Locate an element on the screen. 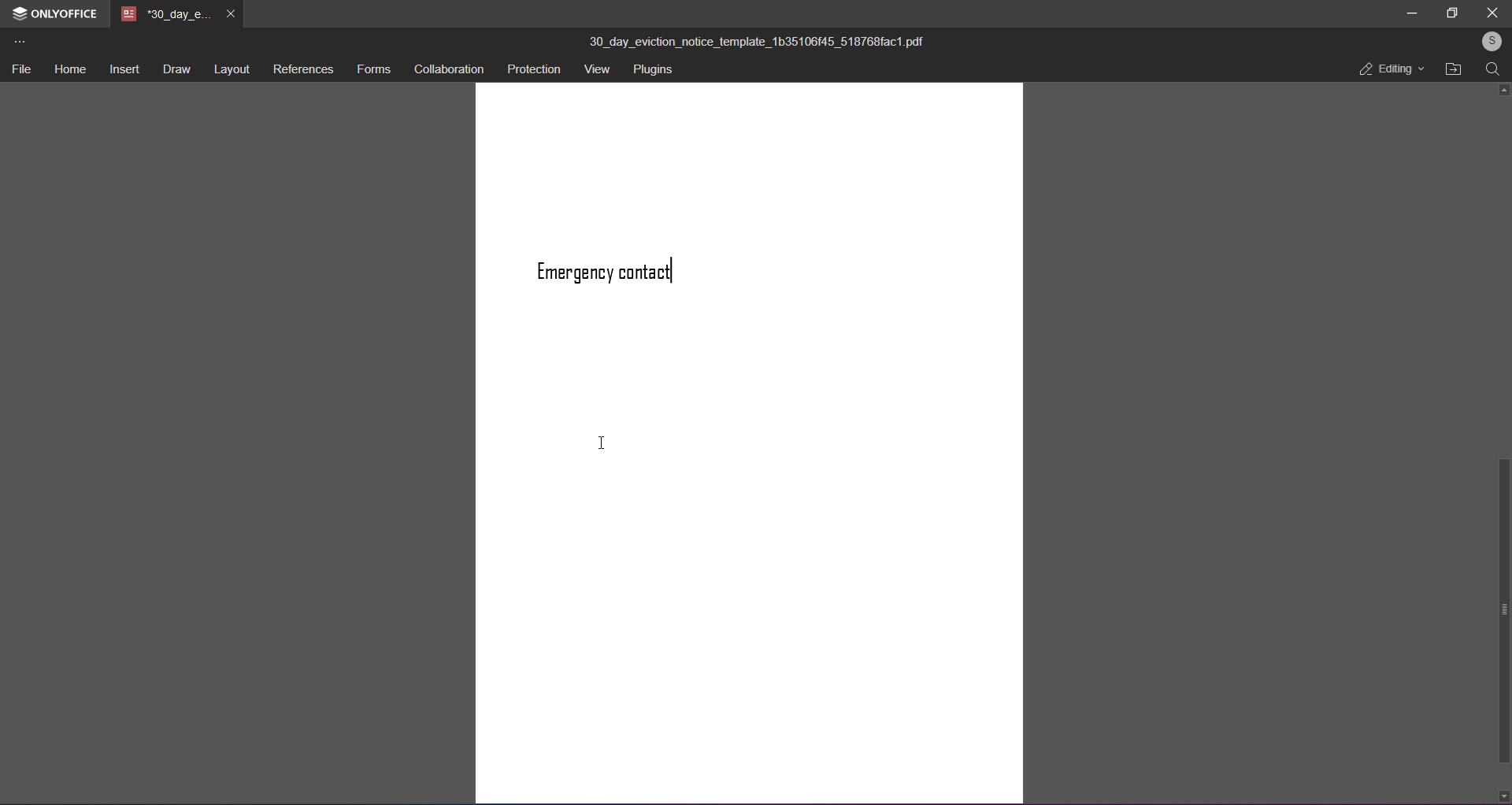  up is located at coordinates (1501, 90).